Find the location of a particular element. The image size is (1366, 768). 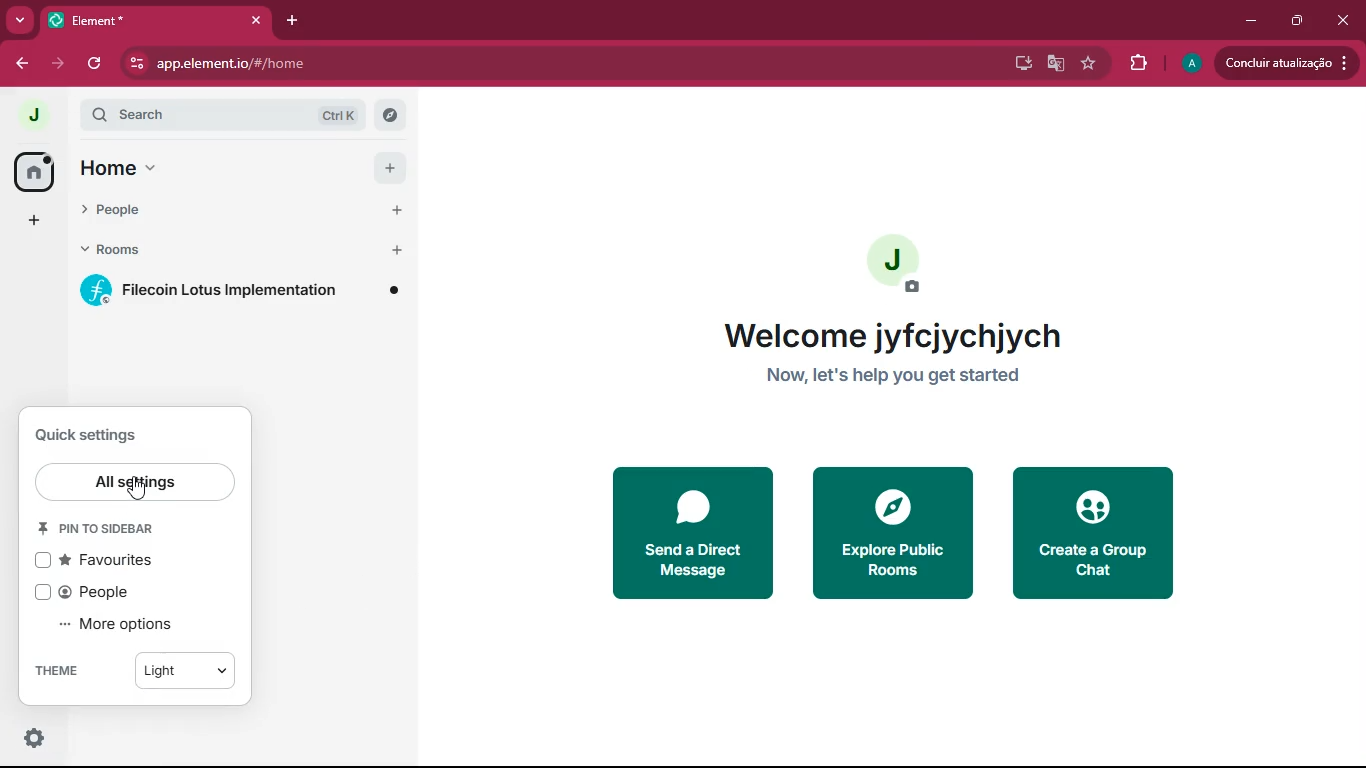

all settings is located at coordinates (136, 482).